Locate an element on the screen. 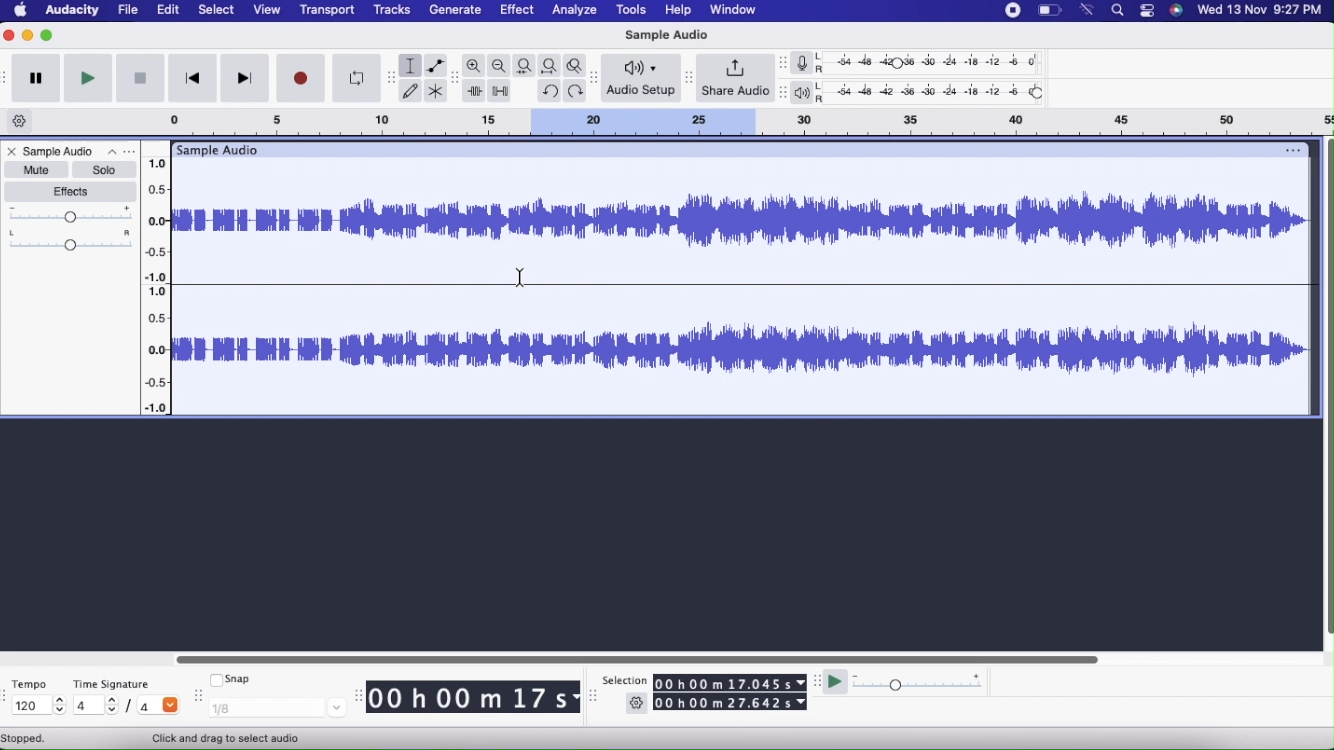 Image resolution: width=1334 pixels, height=750 pixels. 00 h 00 m 17 s is located at coordinates (468, 698).